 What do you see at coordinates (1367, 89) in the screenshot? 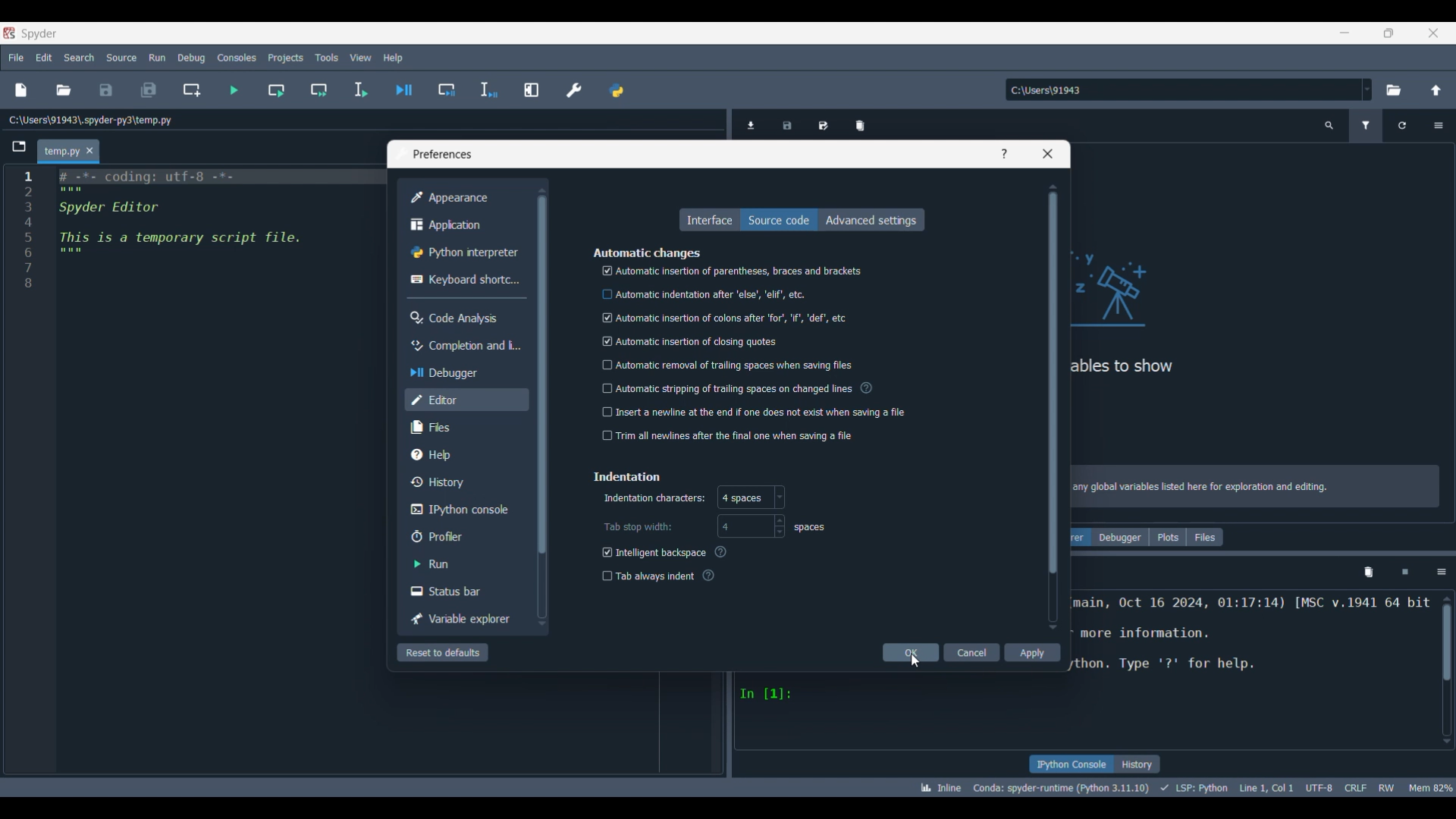
I see `Location options` at bounding box center [1367, 89].